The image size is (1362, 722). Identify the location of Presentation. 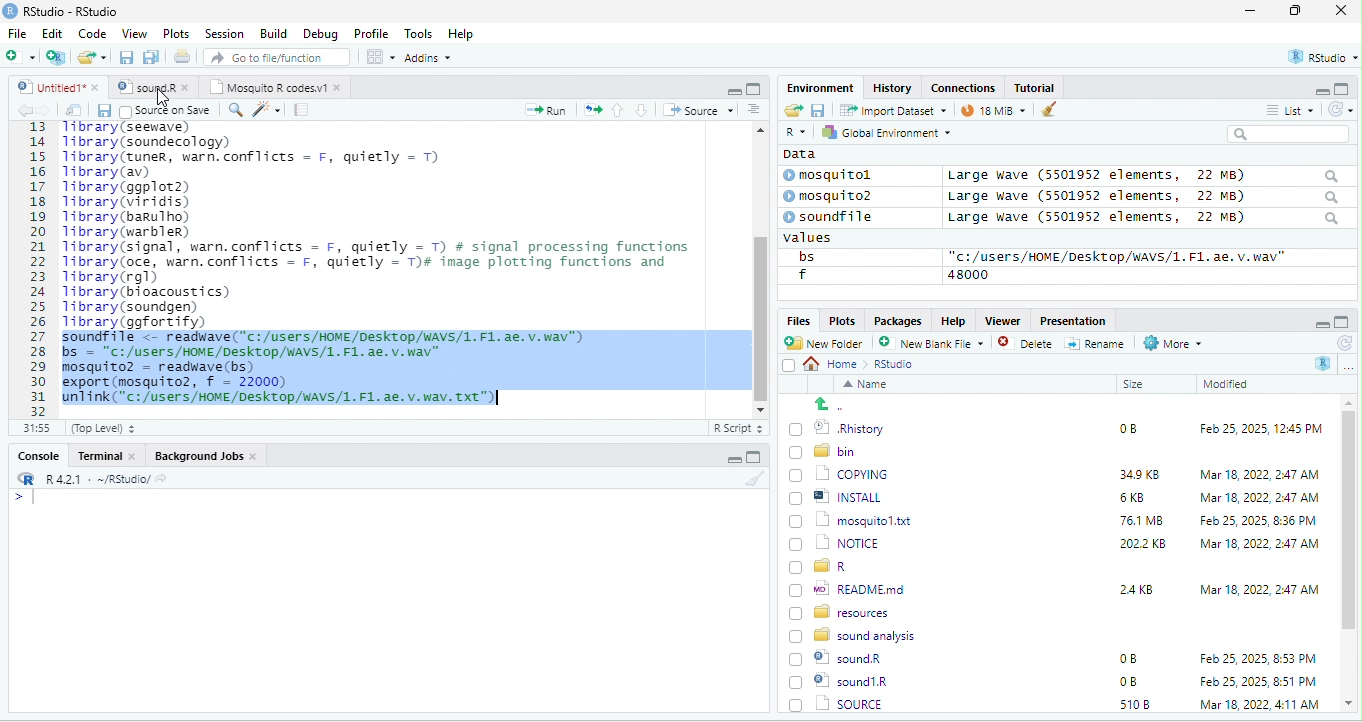
(1071, 320).